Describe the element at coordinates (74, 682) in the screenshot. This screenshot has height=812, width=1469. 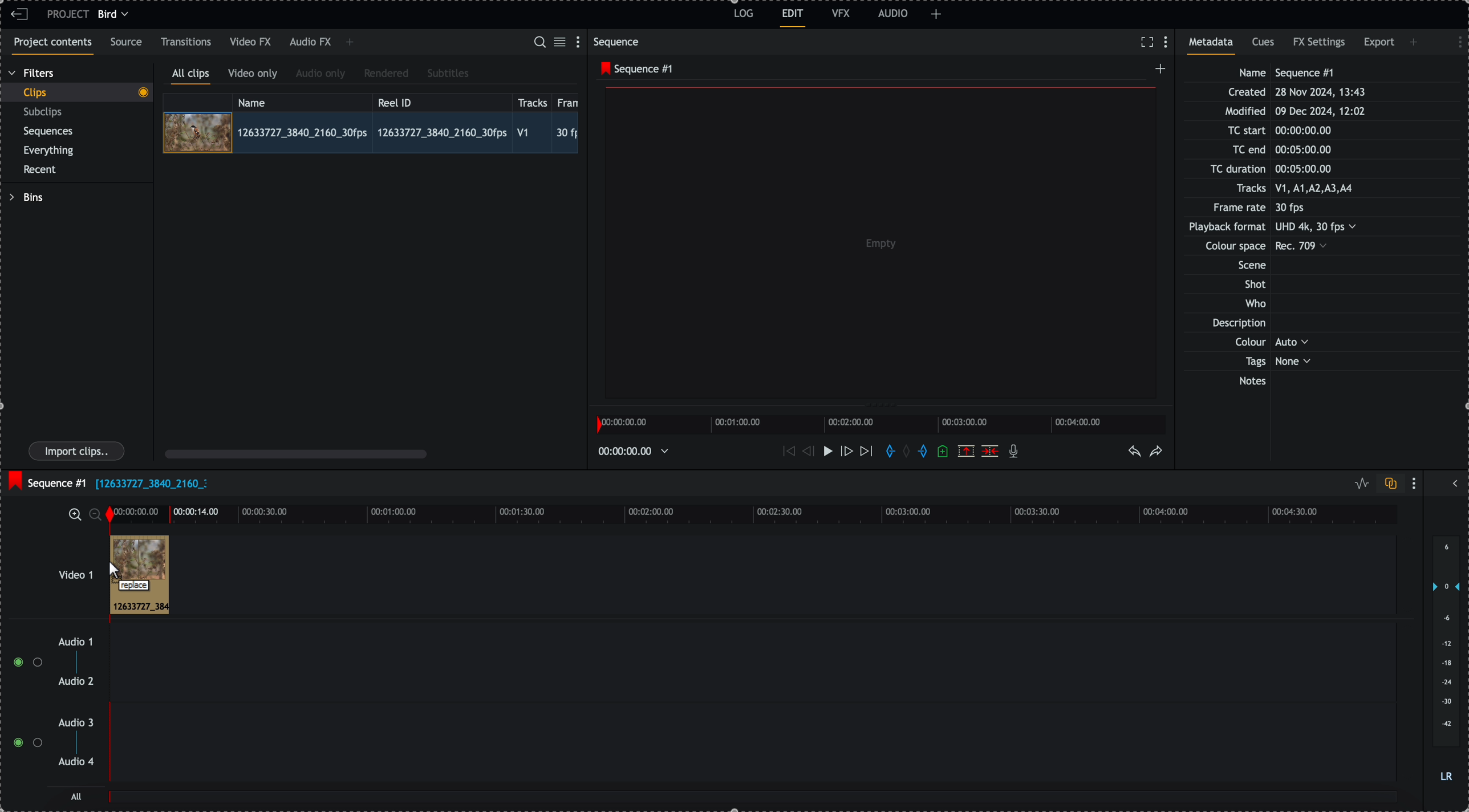
I see `audio 2` at that location.